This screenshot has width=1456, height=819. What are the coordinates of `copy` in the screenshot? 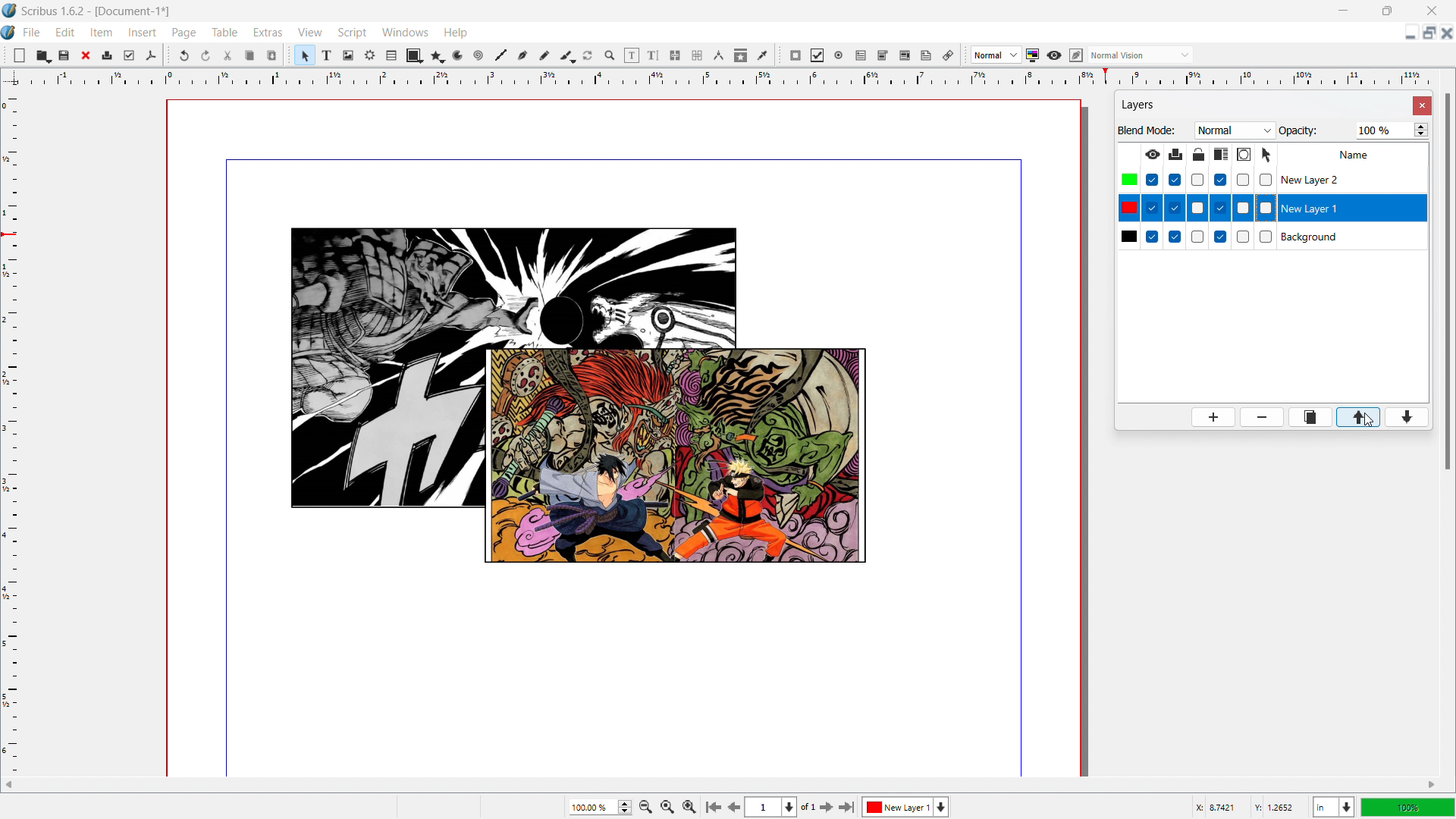 It's located at (249, 55).